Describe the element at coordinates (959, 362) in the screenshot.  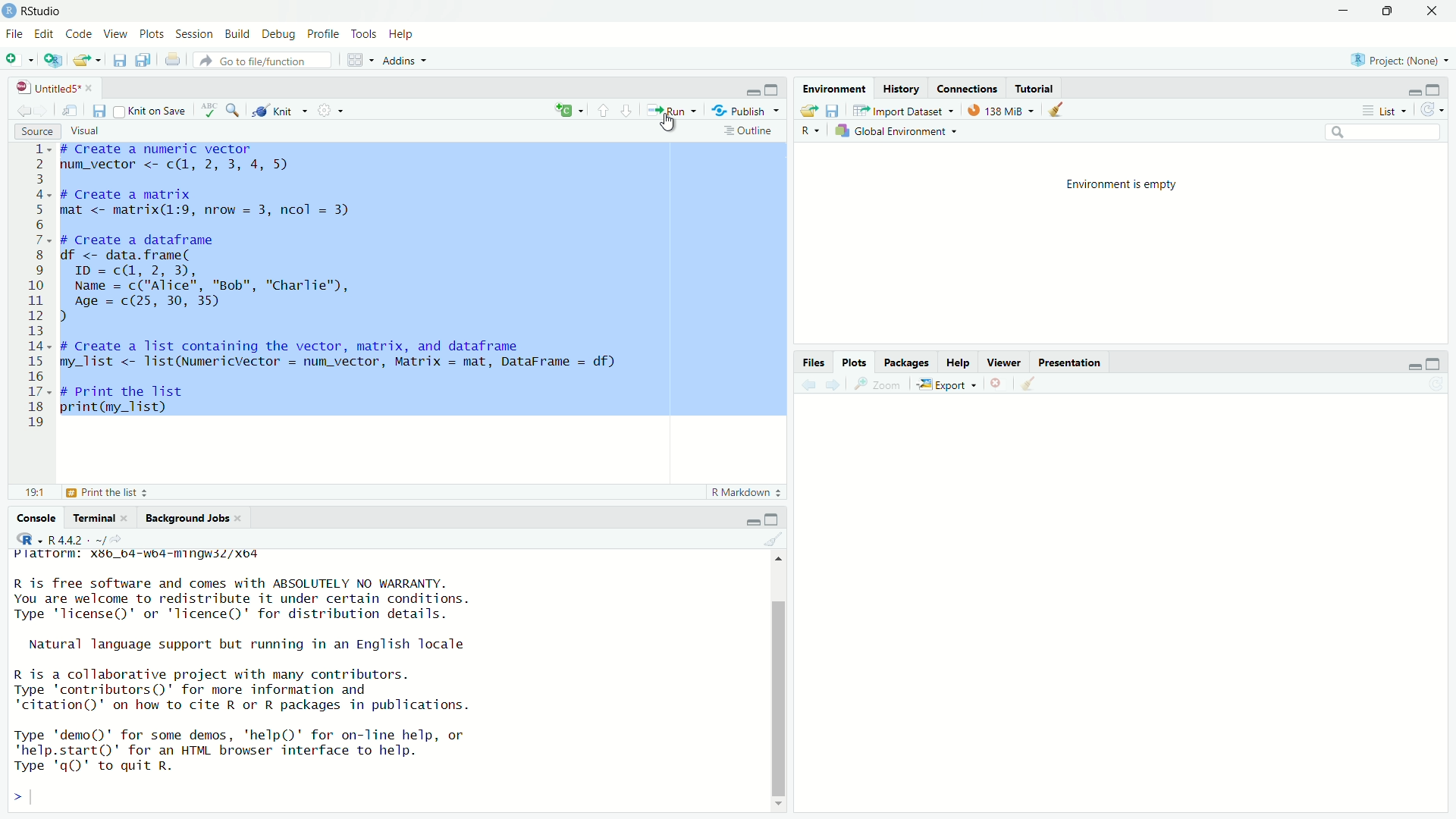
I see `Help` at that location.